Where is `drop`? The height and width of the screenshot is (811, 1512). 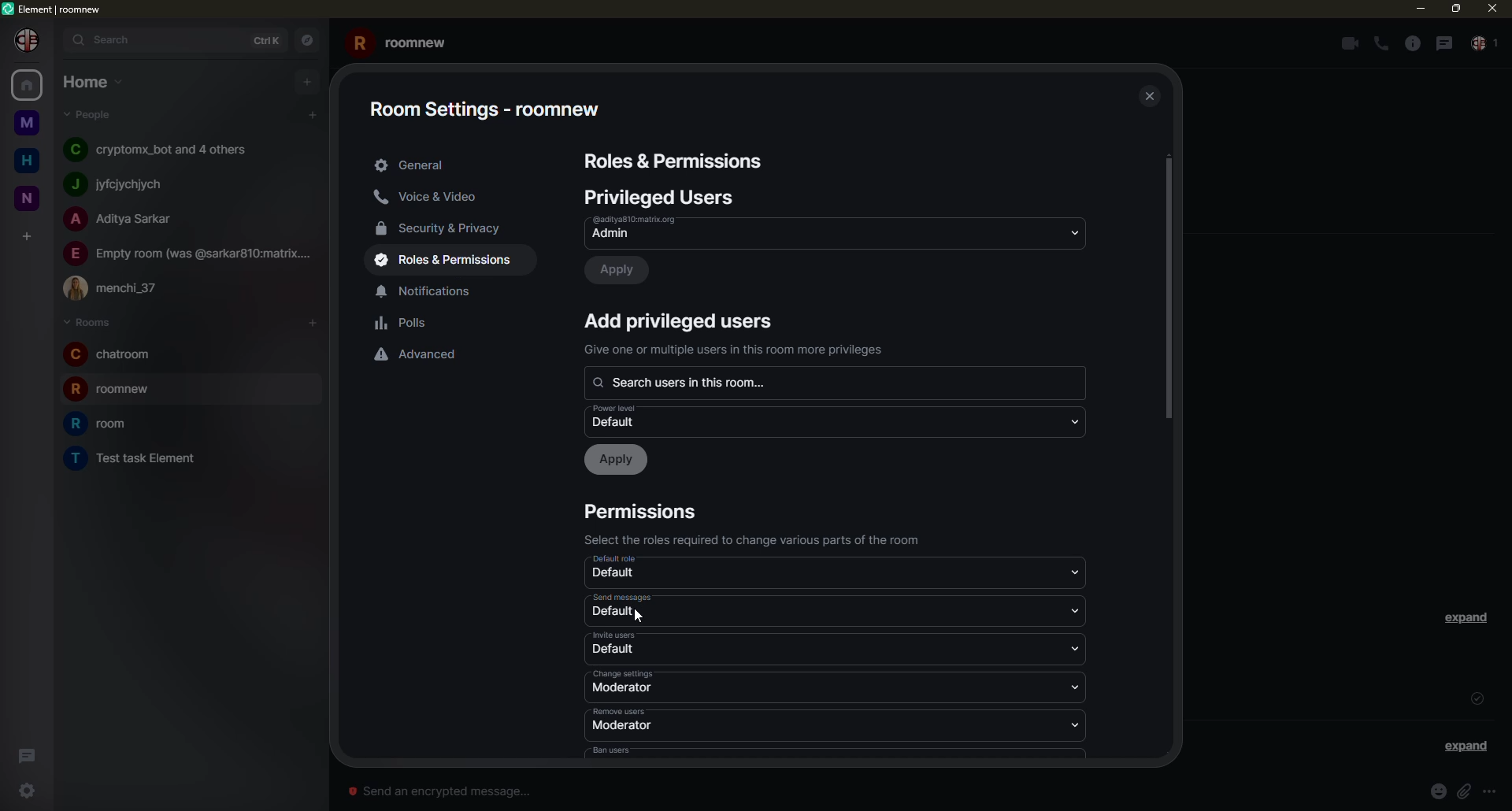
drop is located at coordinates (1077, 572).